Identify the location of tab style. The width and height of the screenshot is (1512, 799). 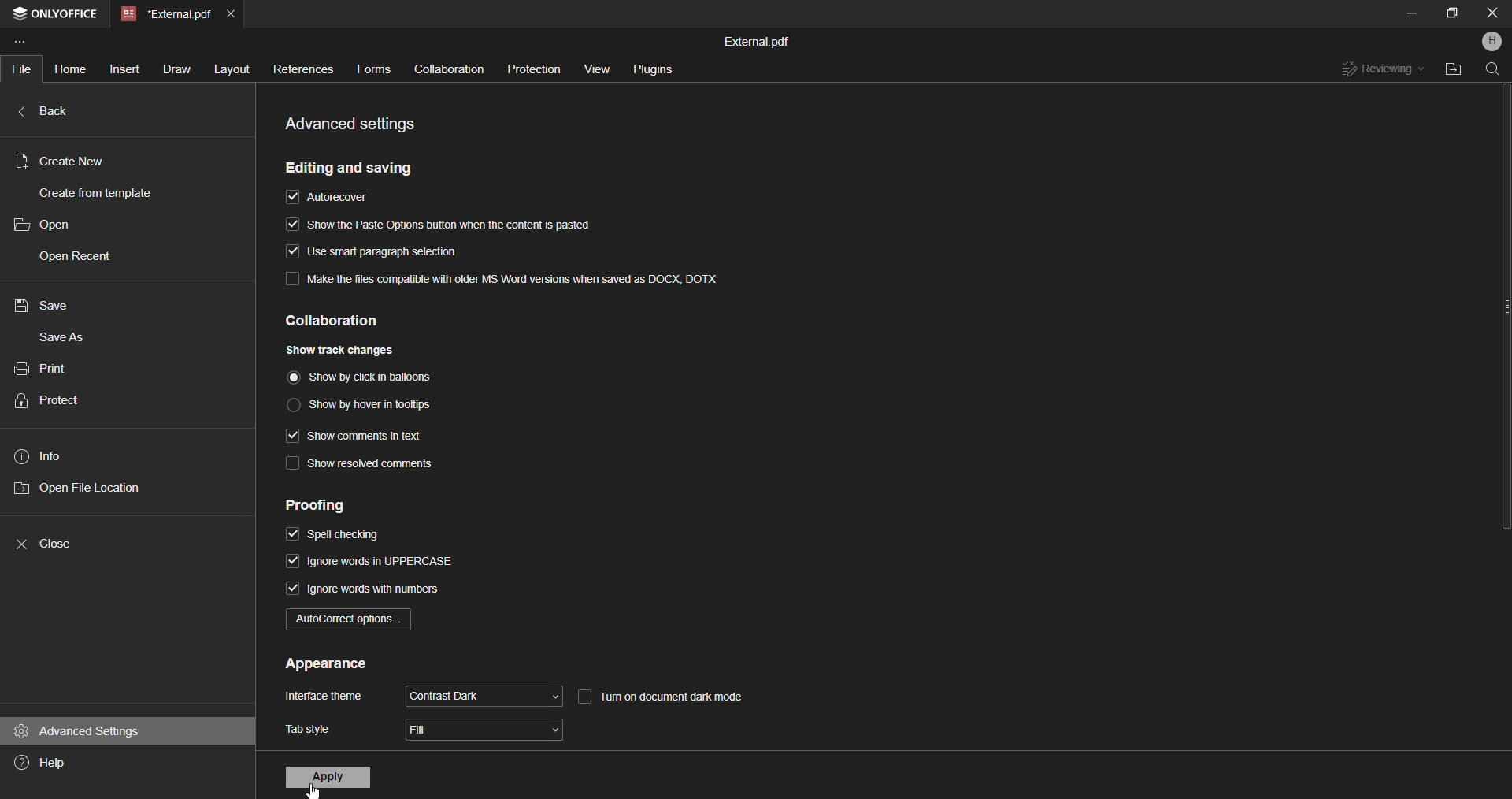
(308, 730).